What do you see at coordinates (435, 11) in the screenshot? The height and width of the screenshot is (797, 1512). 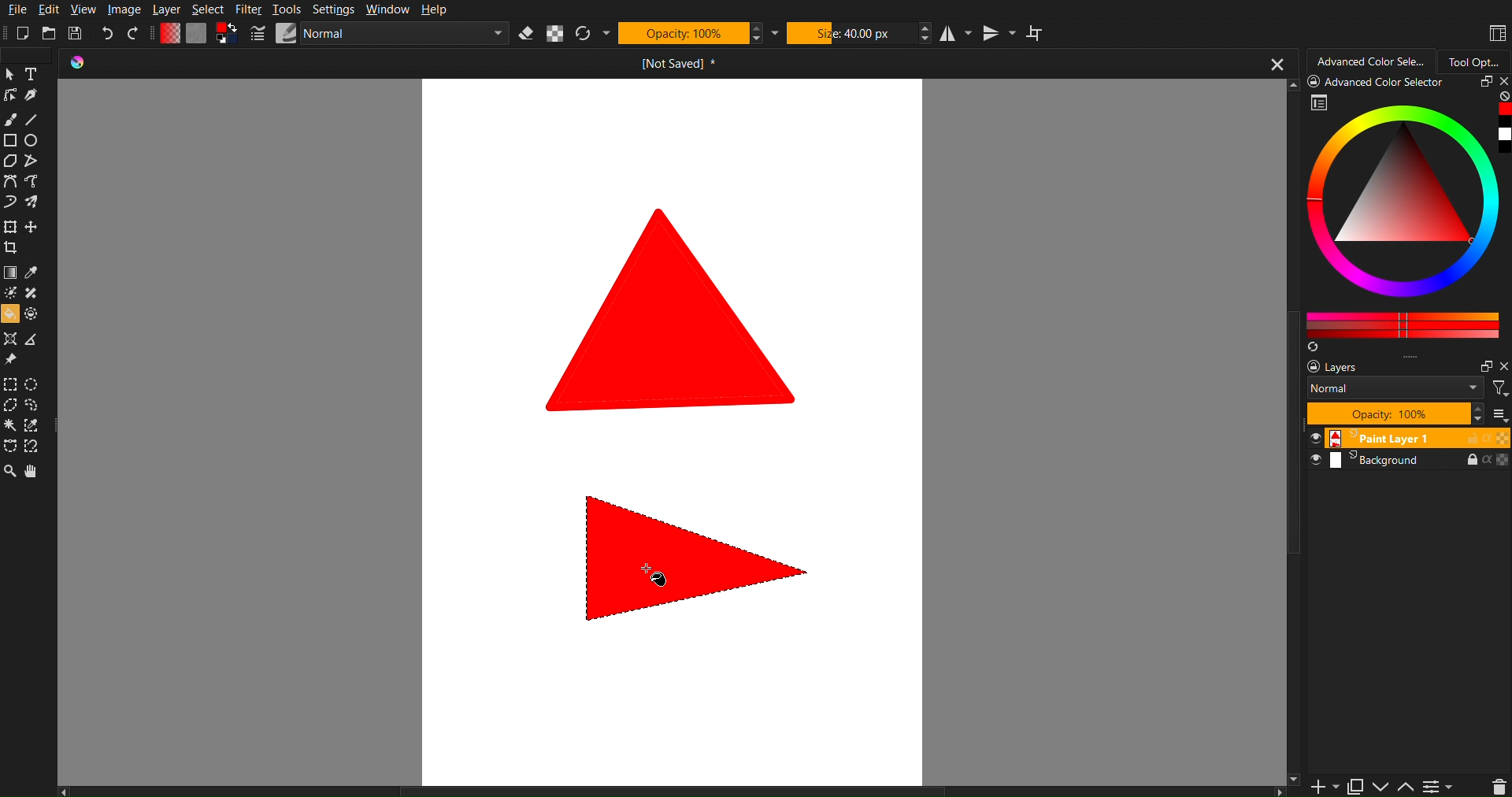 I see `Help` at bounding box center [435, 11].